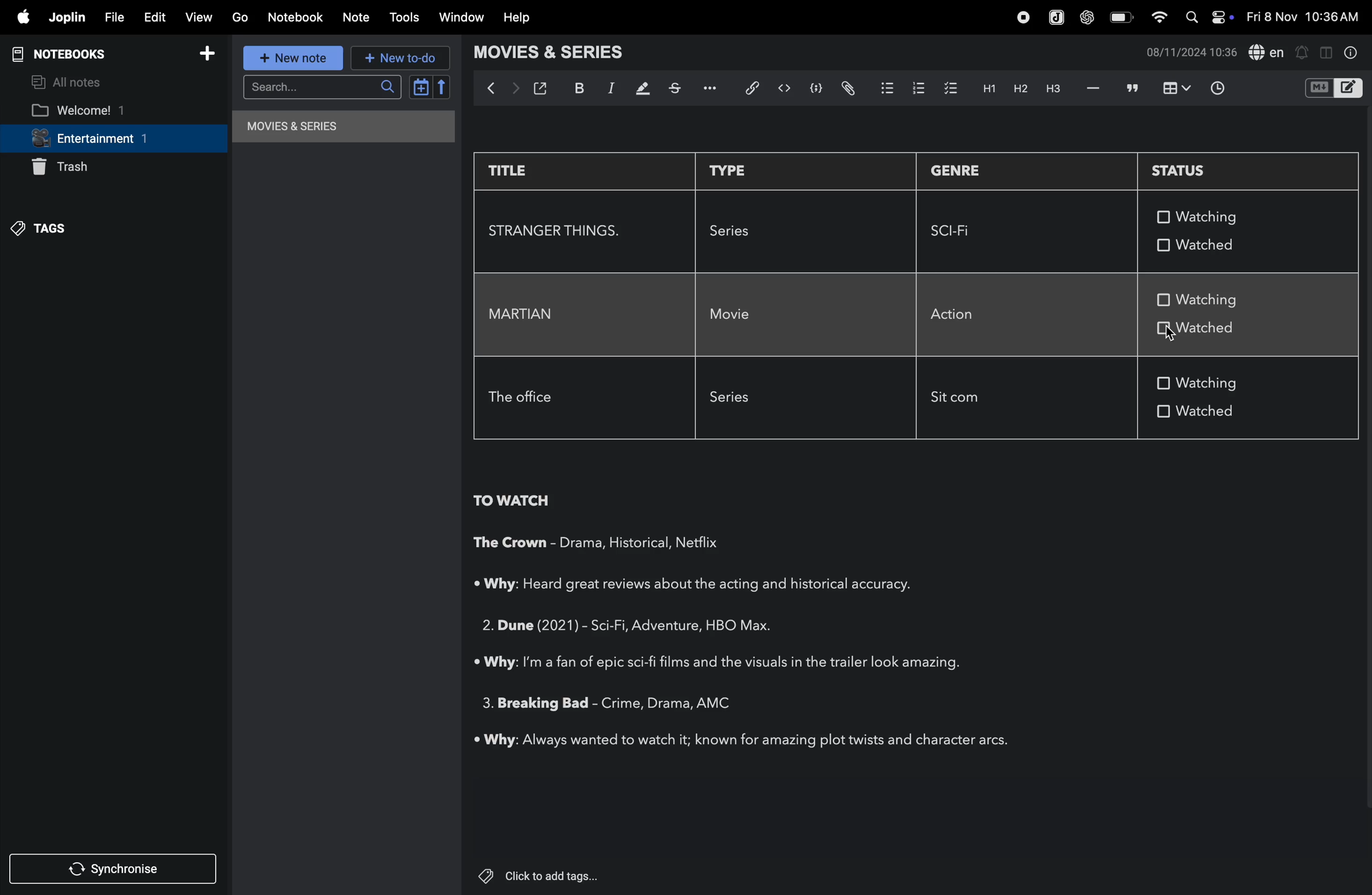  Describe the element at coordinates (1354, 54) in the screenshot. I see `info` at that location.